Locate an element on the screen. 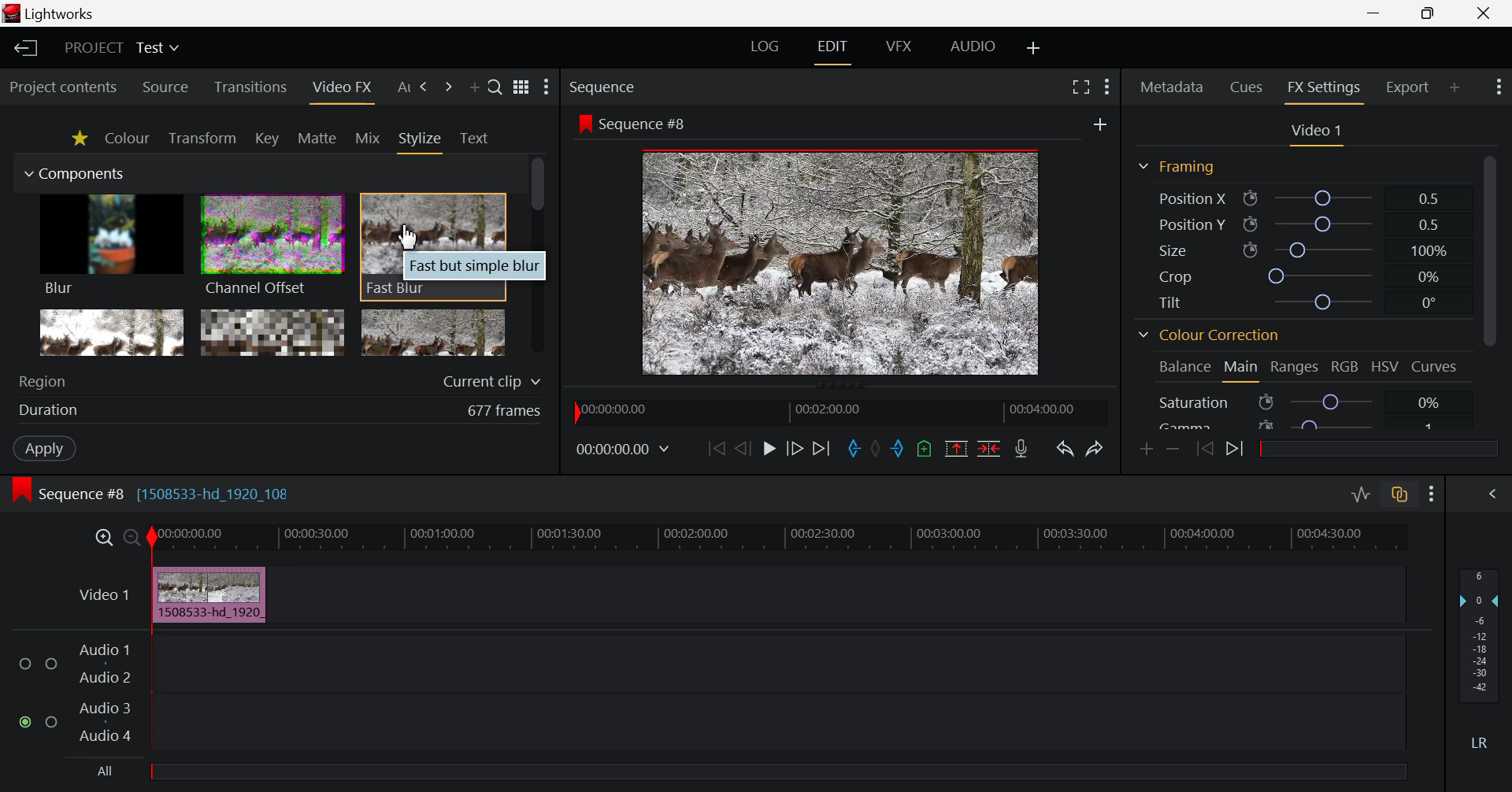  Audio Input Fields is located at coordinates (704, 694).